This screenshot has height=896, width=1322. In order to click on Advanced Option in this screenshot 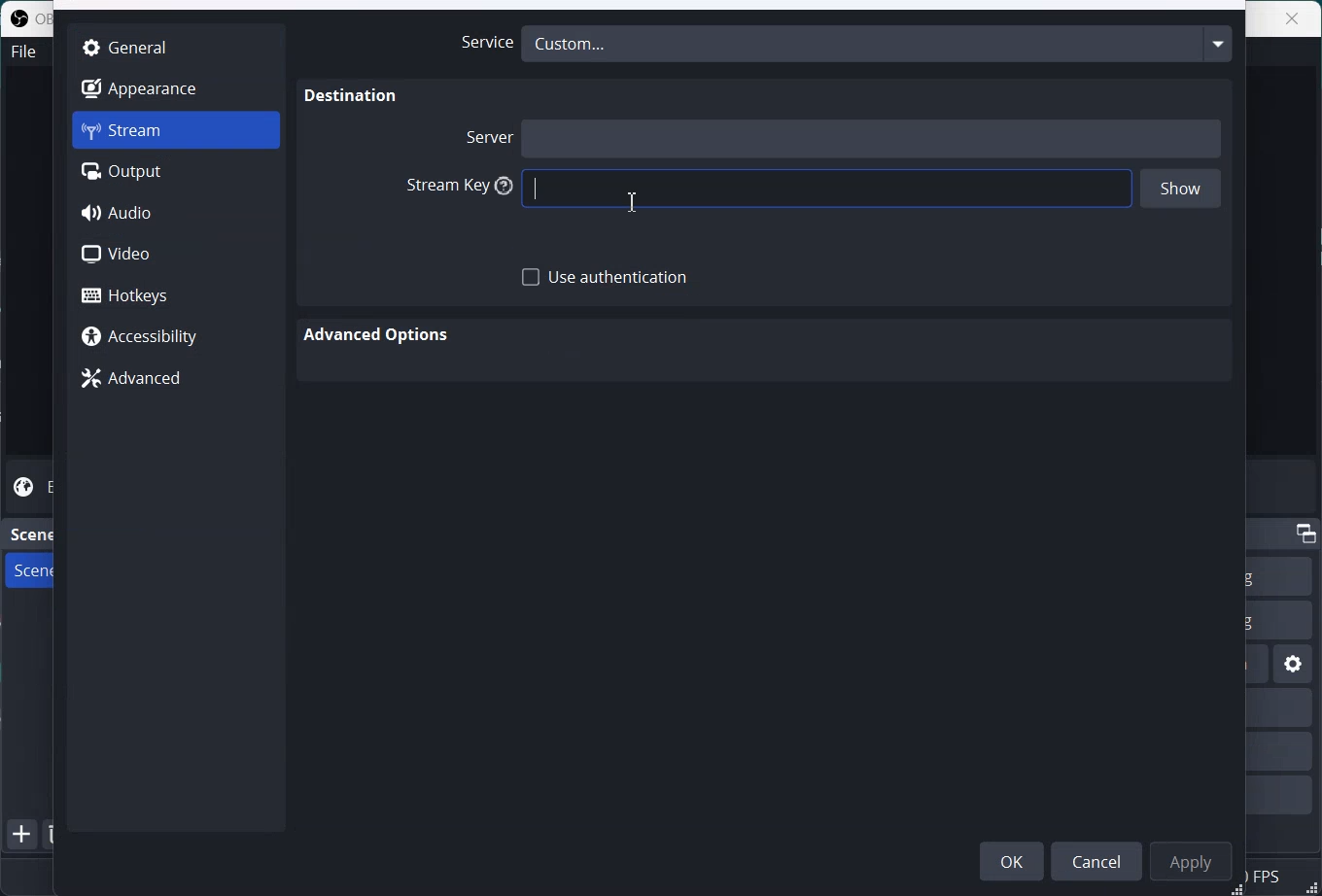, I will do `click(379, 335)`.